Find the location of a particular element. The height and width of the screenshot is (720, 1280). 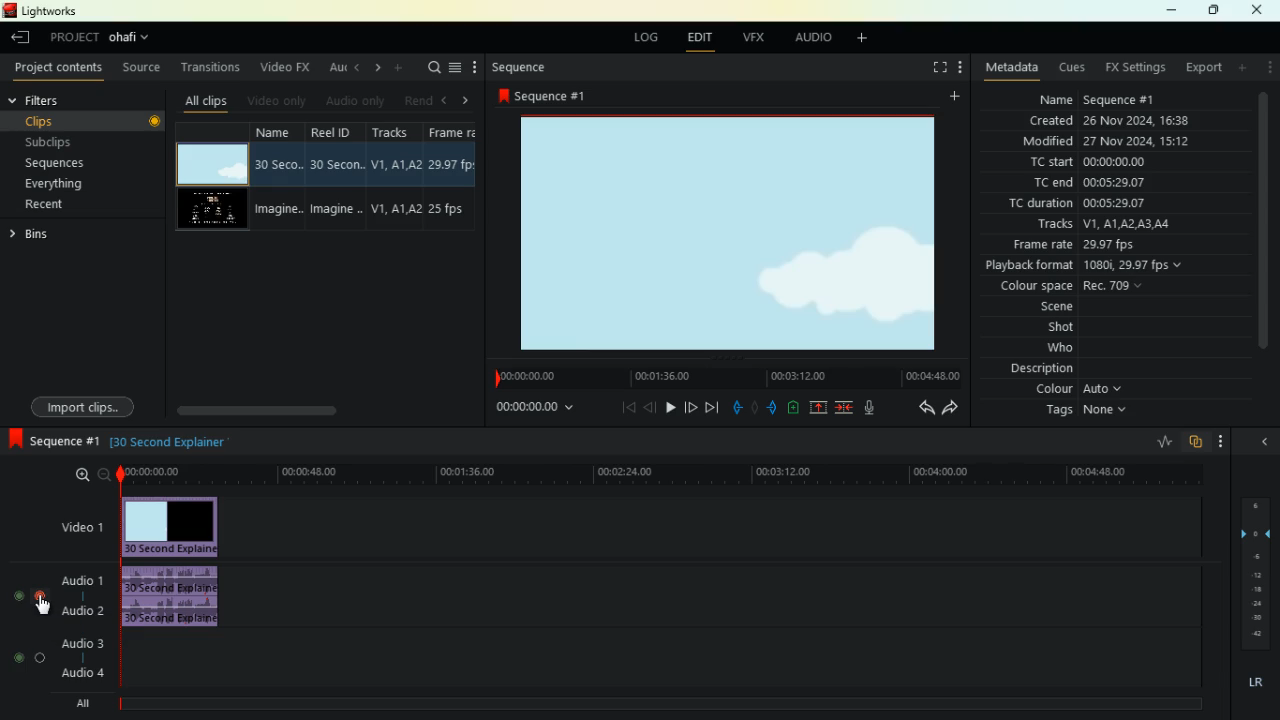

metadata is located at coordinates (1012, 67).